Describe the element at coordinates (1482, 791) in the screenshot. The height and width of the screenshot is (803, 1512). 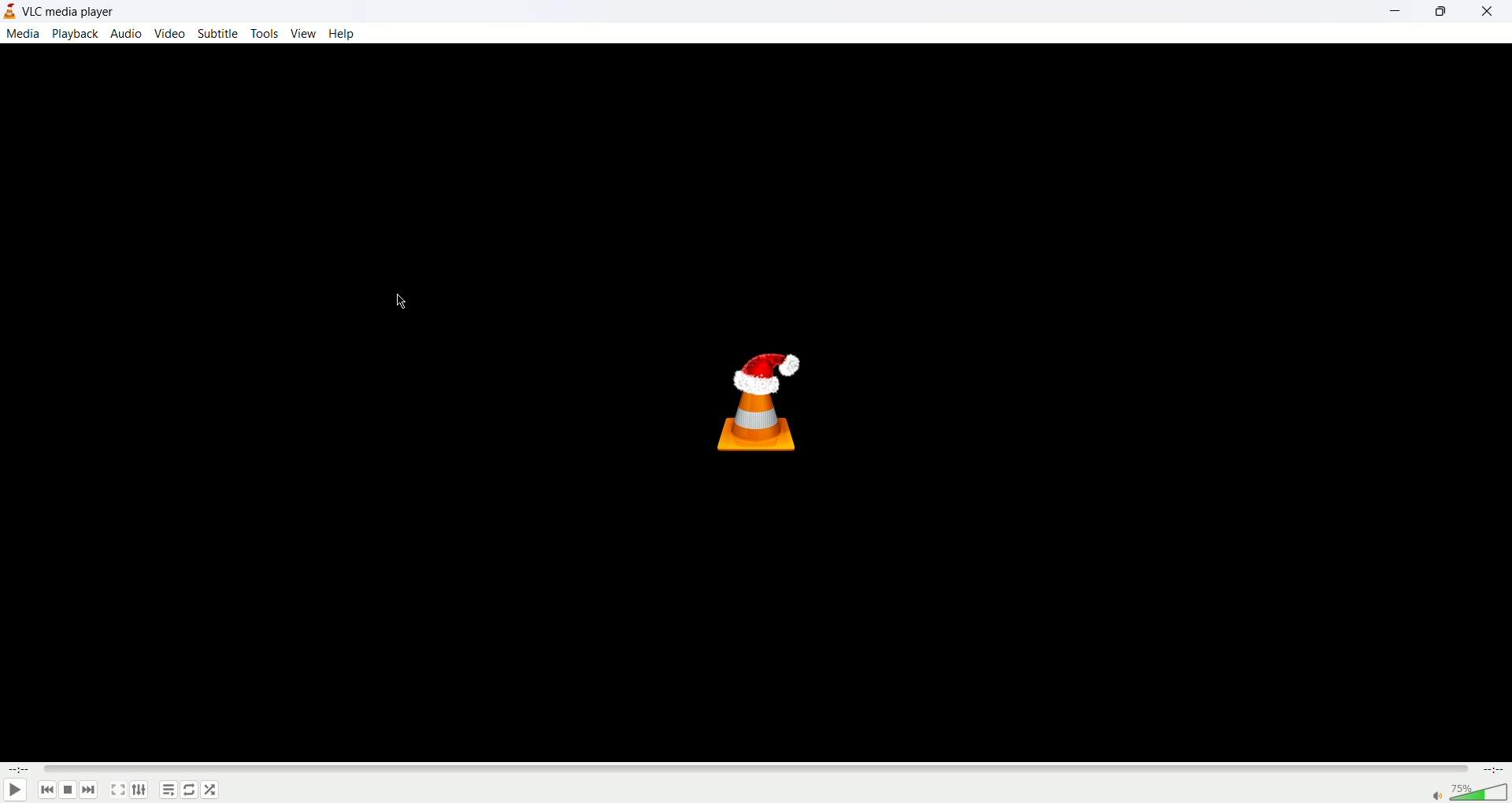
I see `volume bar` at that location.